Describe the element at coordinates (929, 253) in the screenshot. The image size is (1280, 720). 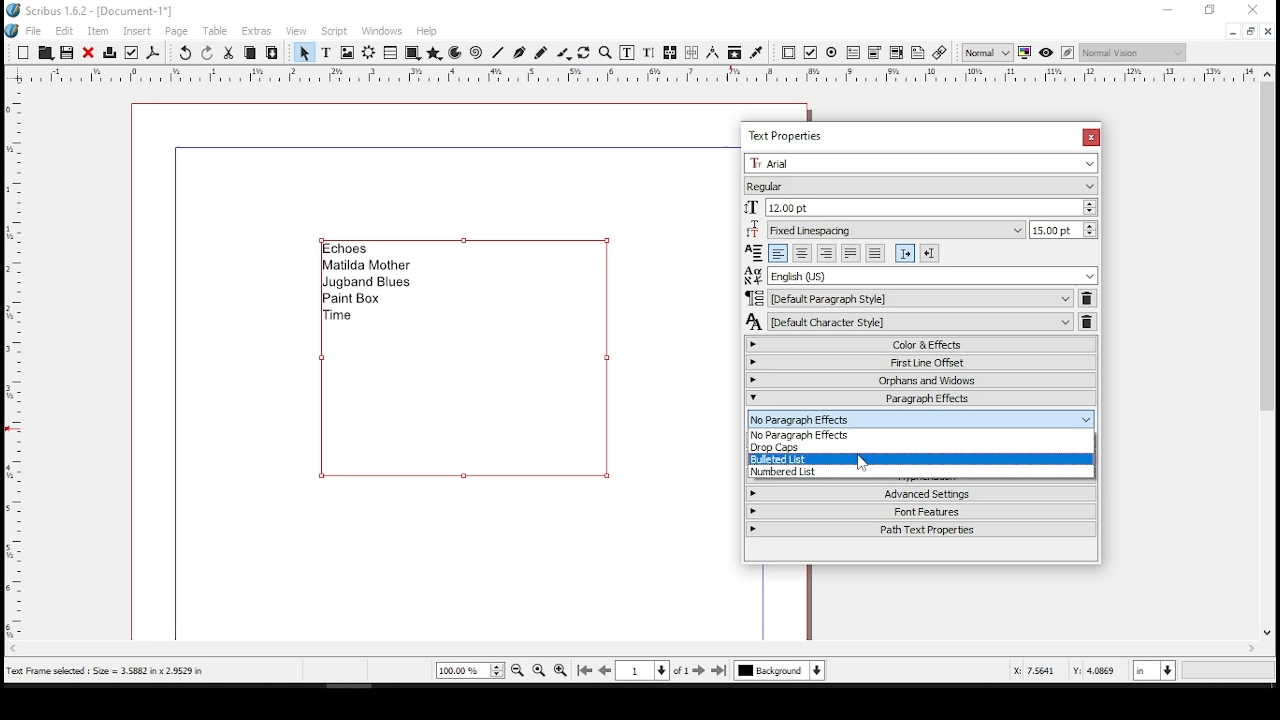
I see `right to left paragraph` at that location.